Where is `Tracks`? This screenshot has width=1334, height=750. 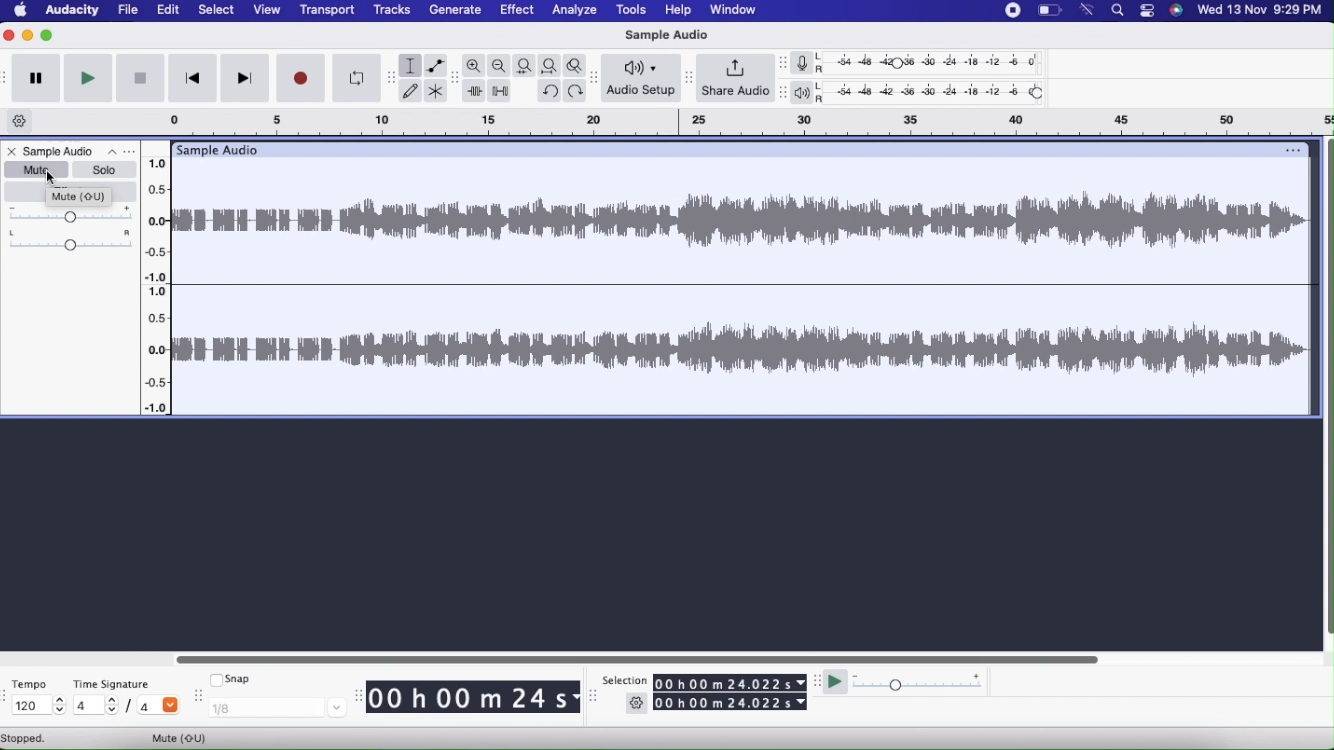
Tracks is located at coordinates (391, 12).